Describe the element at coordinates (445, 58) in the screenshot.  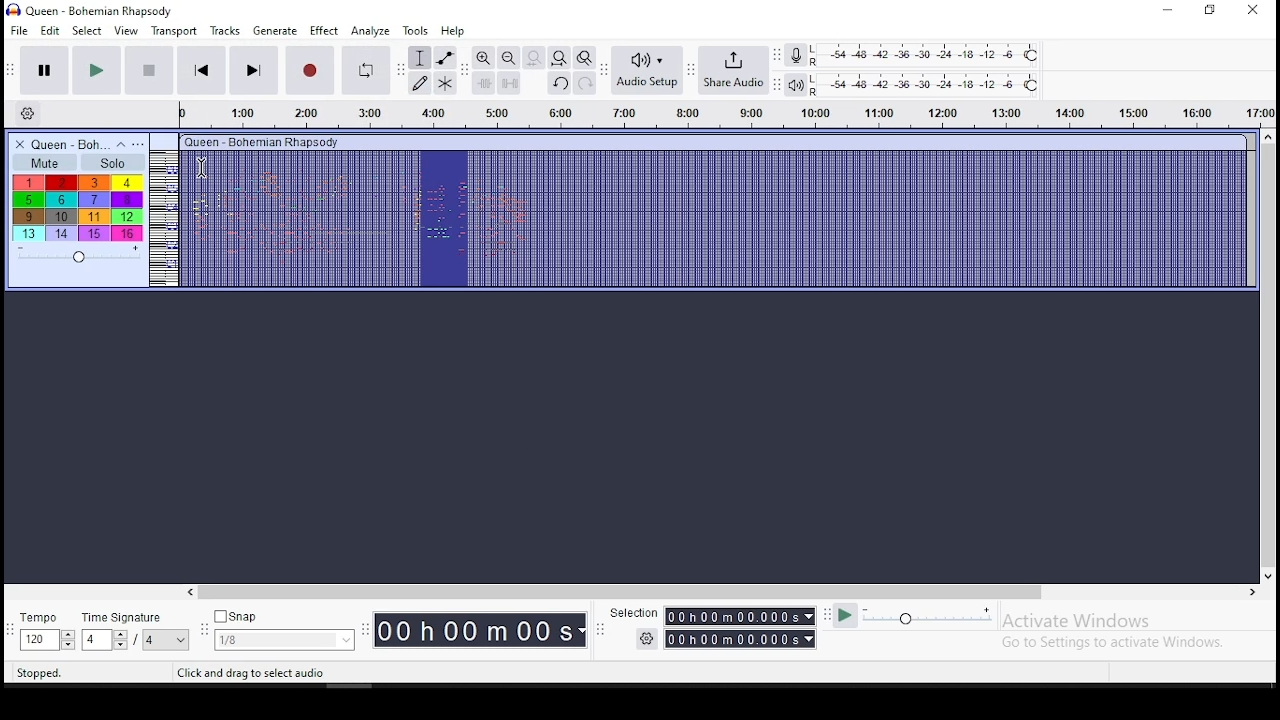
I see `envelope tool` at that location.